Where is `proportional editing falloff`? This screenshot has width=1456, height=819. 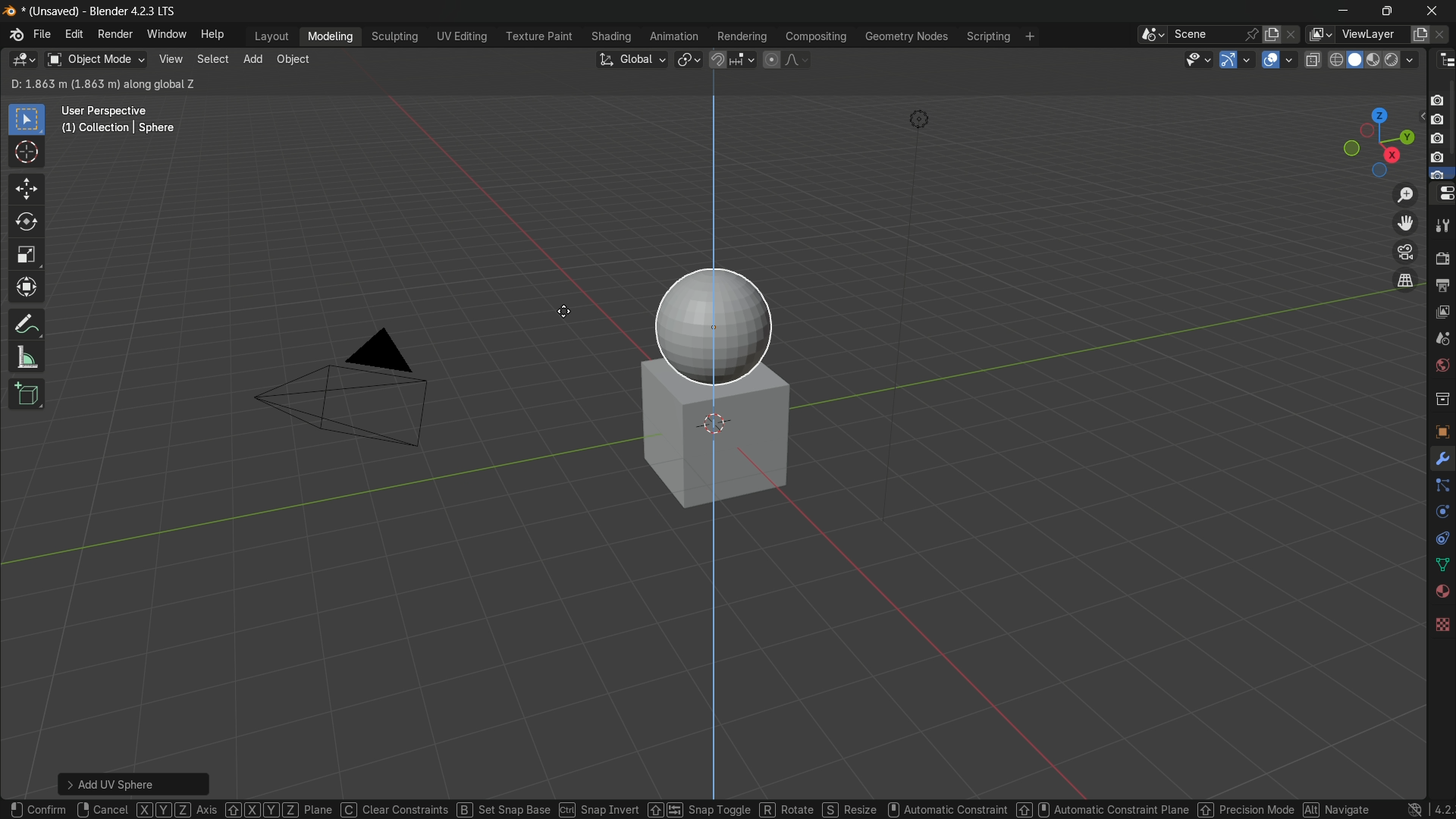 proportional editing falloff is located at coordinates (797, 59).